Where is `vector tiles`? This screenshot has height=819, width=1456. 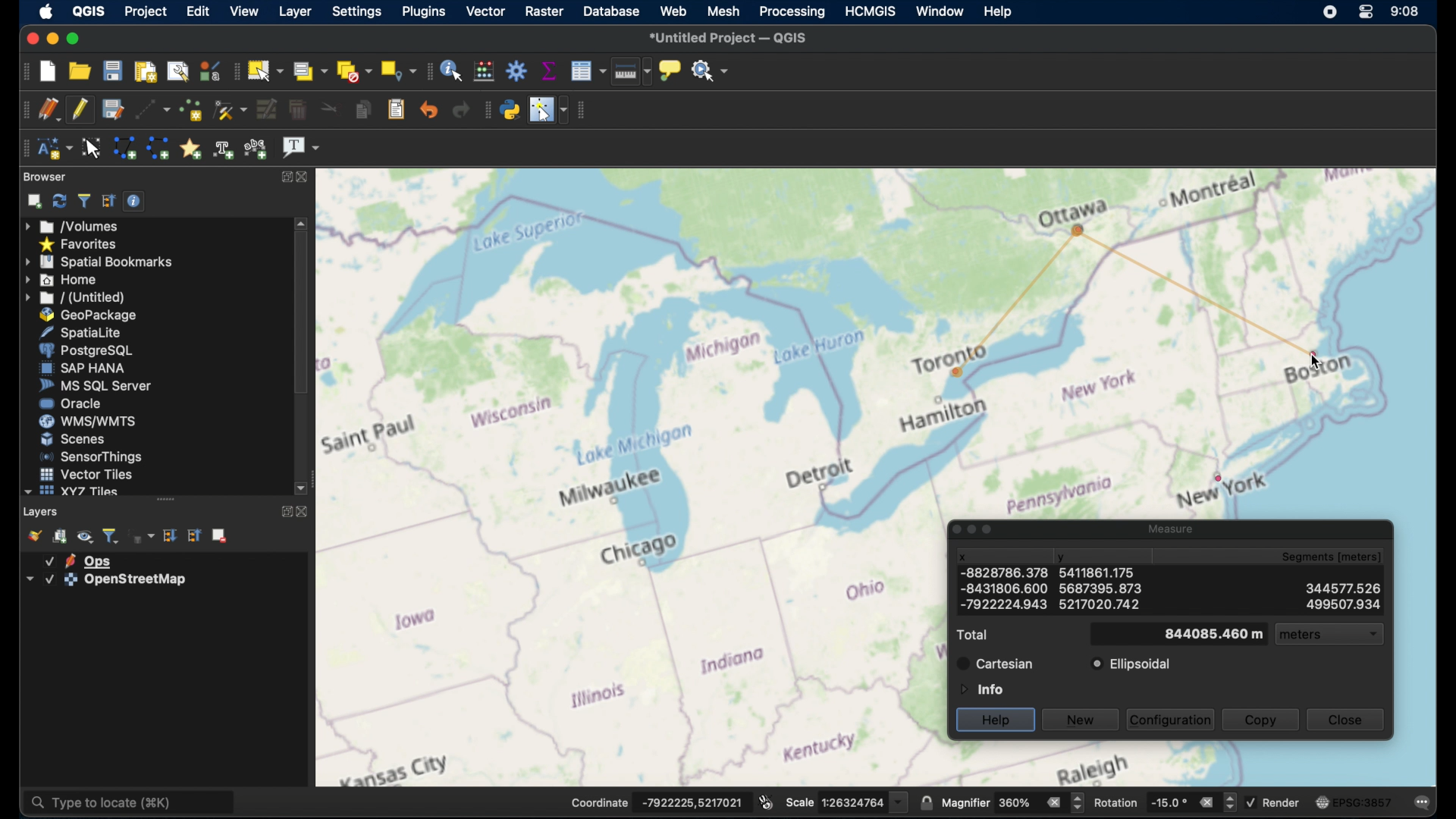
vector tiles is located at coordinates (85, 473).